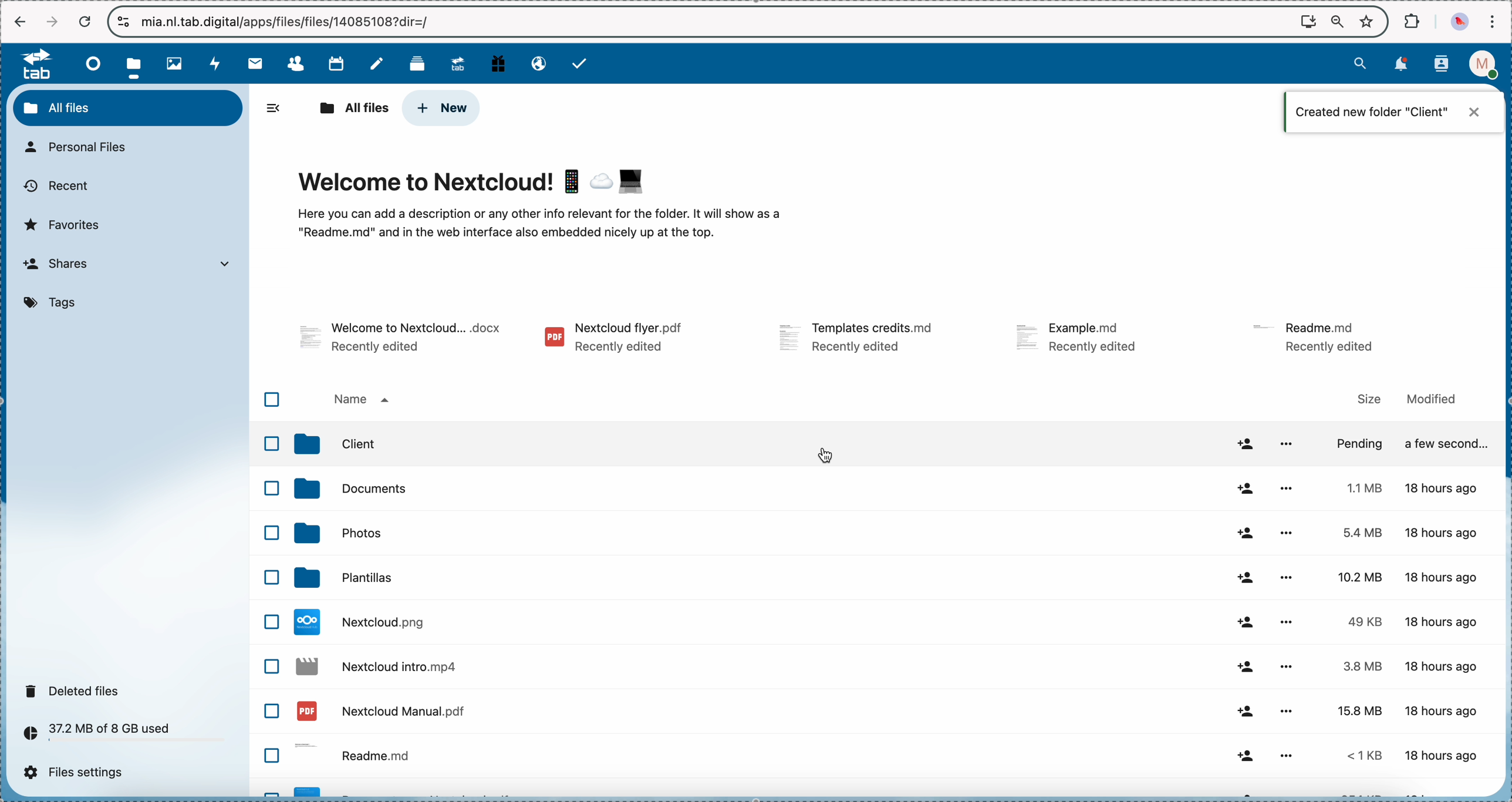 This screenshot has width=1512, height=802. I want to click on favorites, so click(1369, 21).